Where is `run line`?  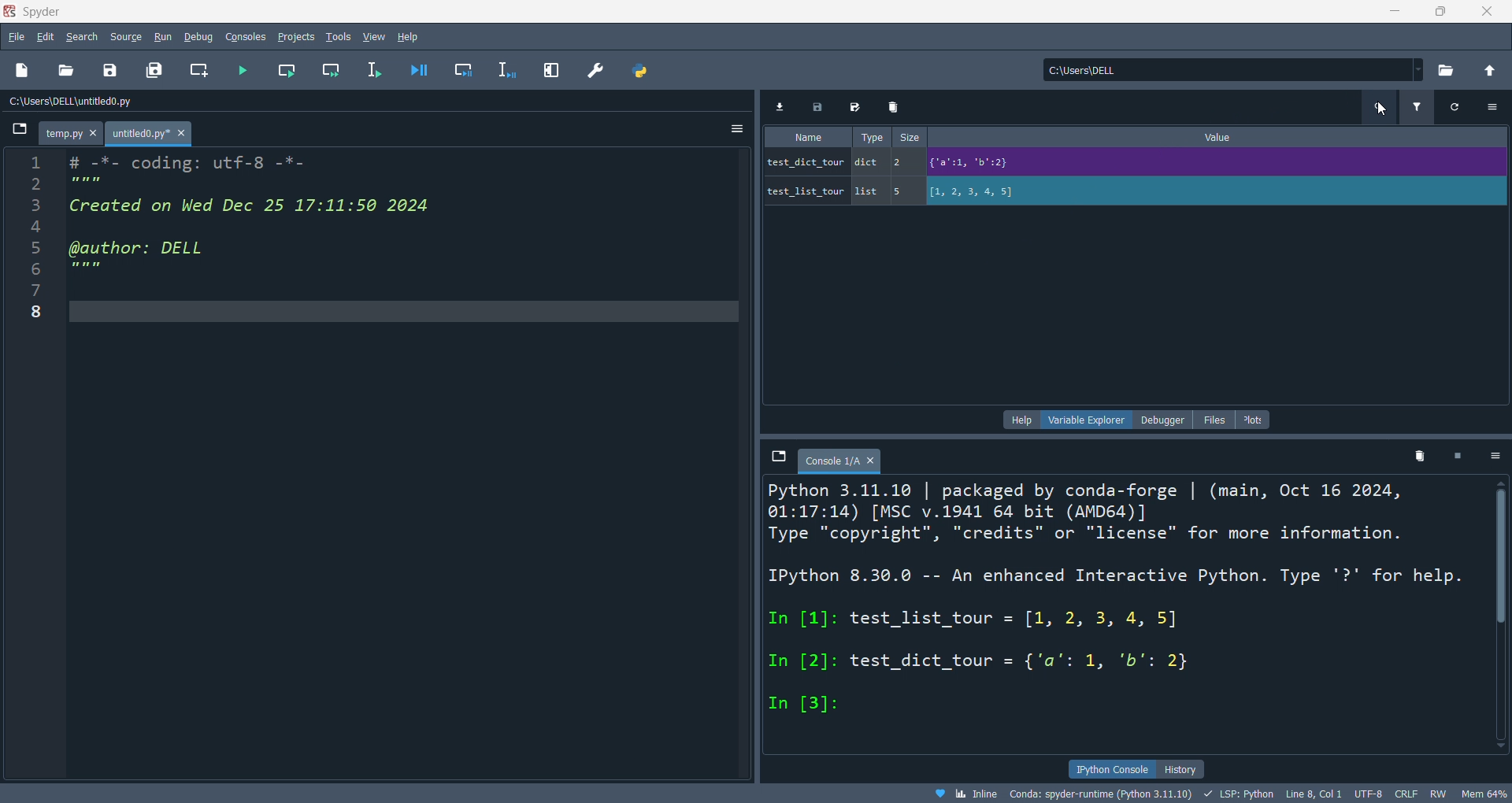 run line is located at coordinates (371, 68).